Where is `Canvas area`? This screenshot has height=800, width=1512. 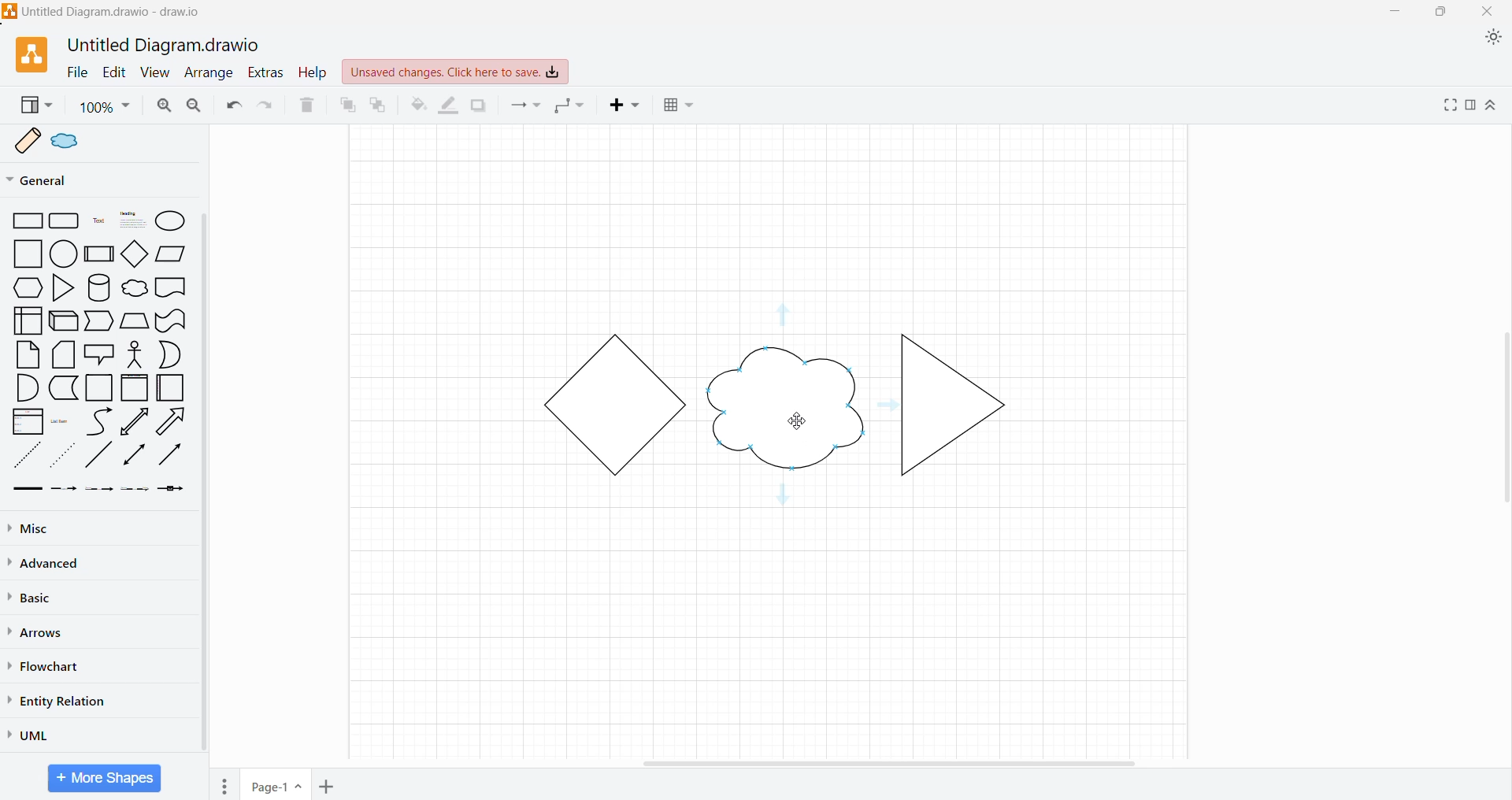 Canvas area is located at coordinates (770, 612).